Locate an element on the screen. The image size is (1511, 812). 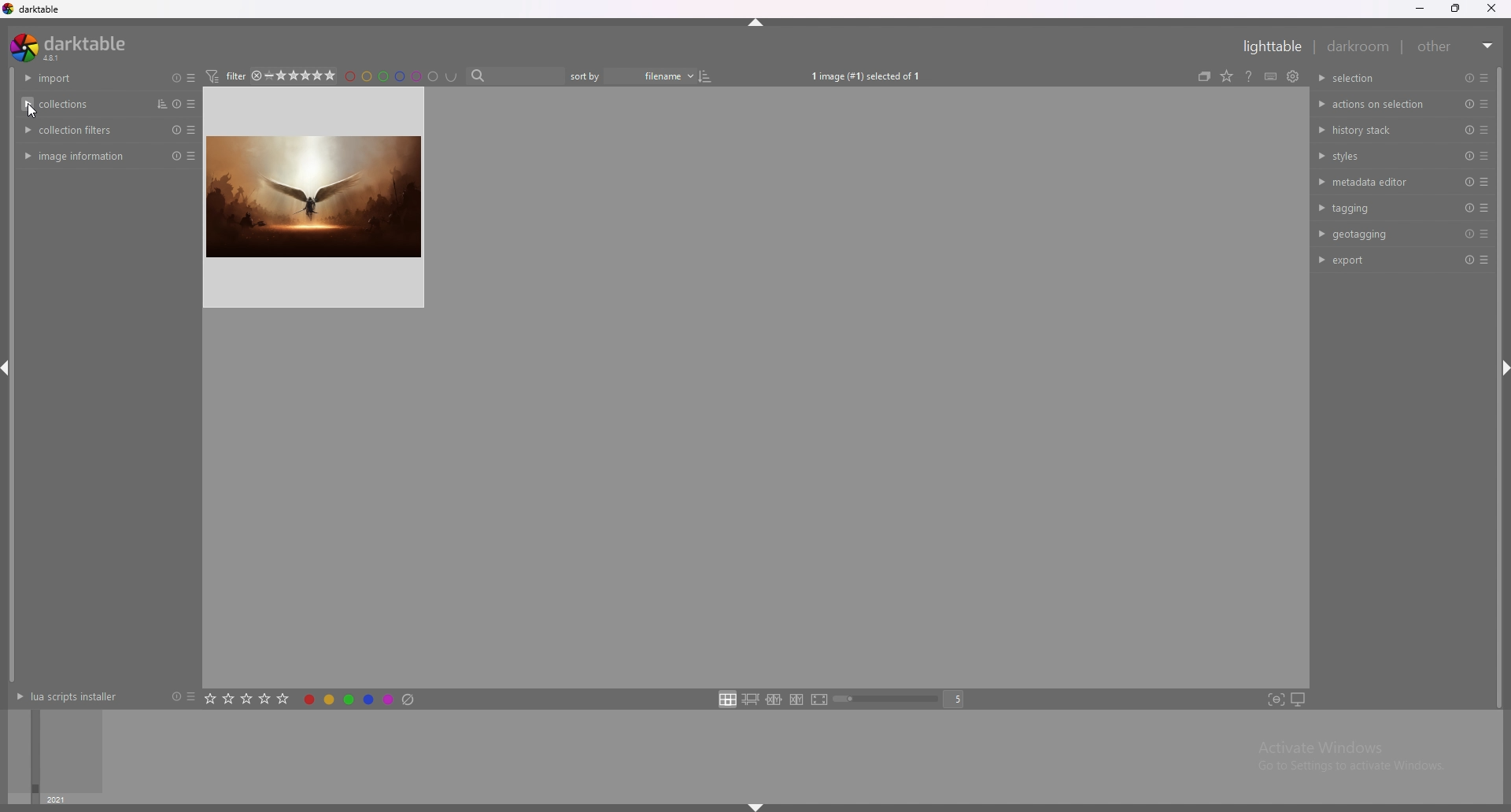
CURSOR is located at coordinates (41, 113).